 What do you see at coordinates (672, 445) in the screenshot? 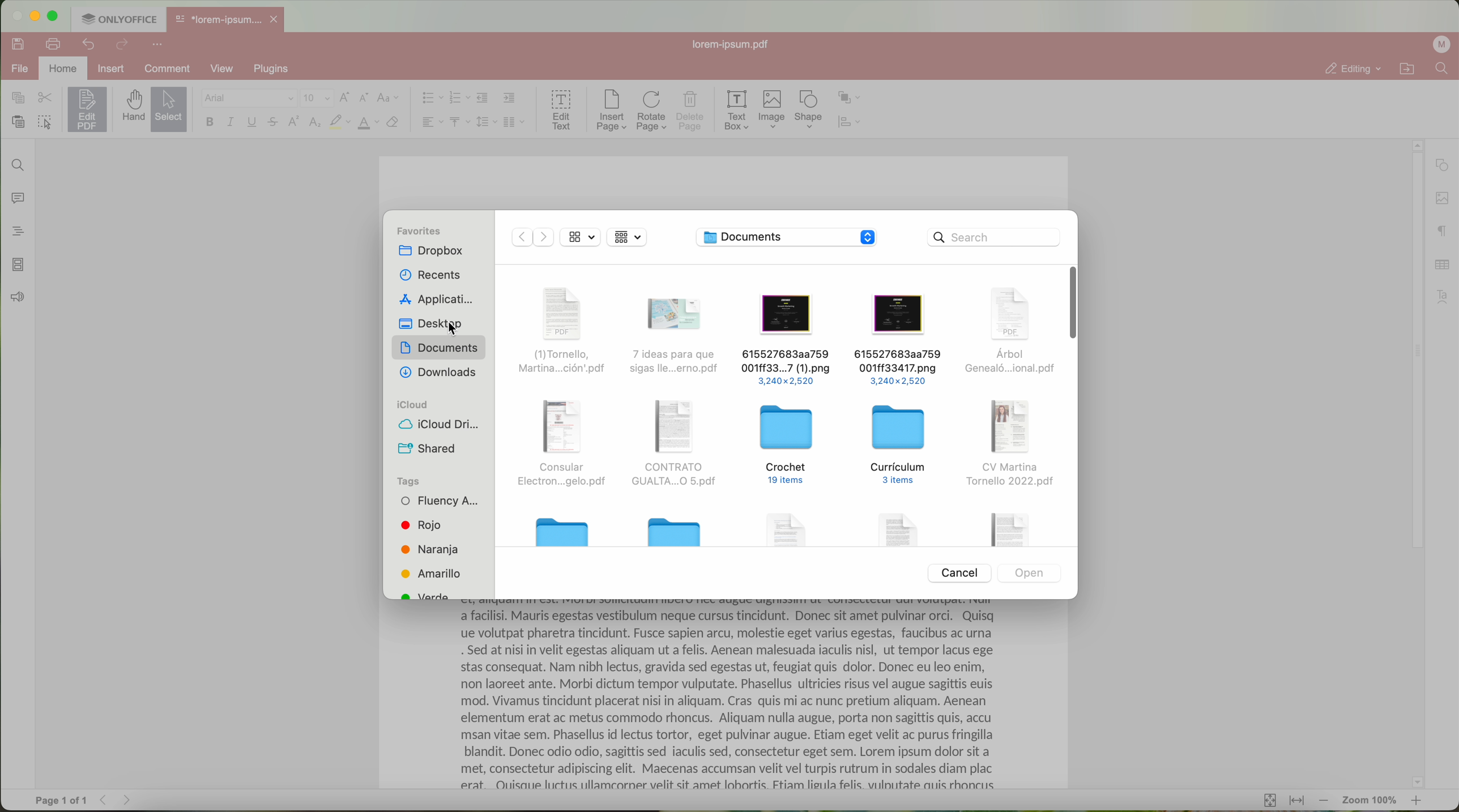
I see `CONTRATO
GUALTA...O 5.pdf` at bounding box center [672, 445].